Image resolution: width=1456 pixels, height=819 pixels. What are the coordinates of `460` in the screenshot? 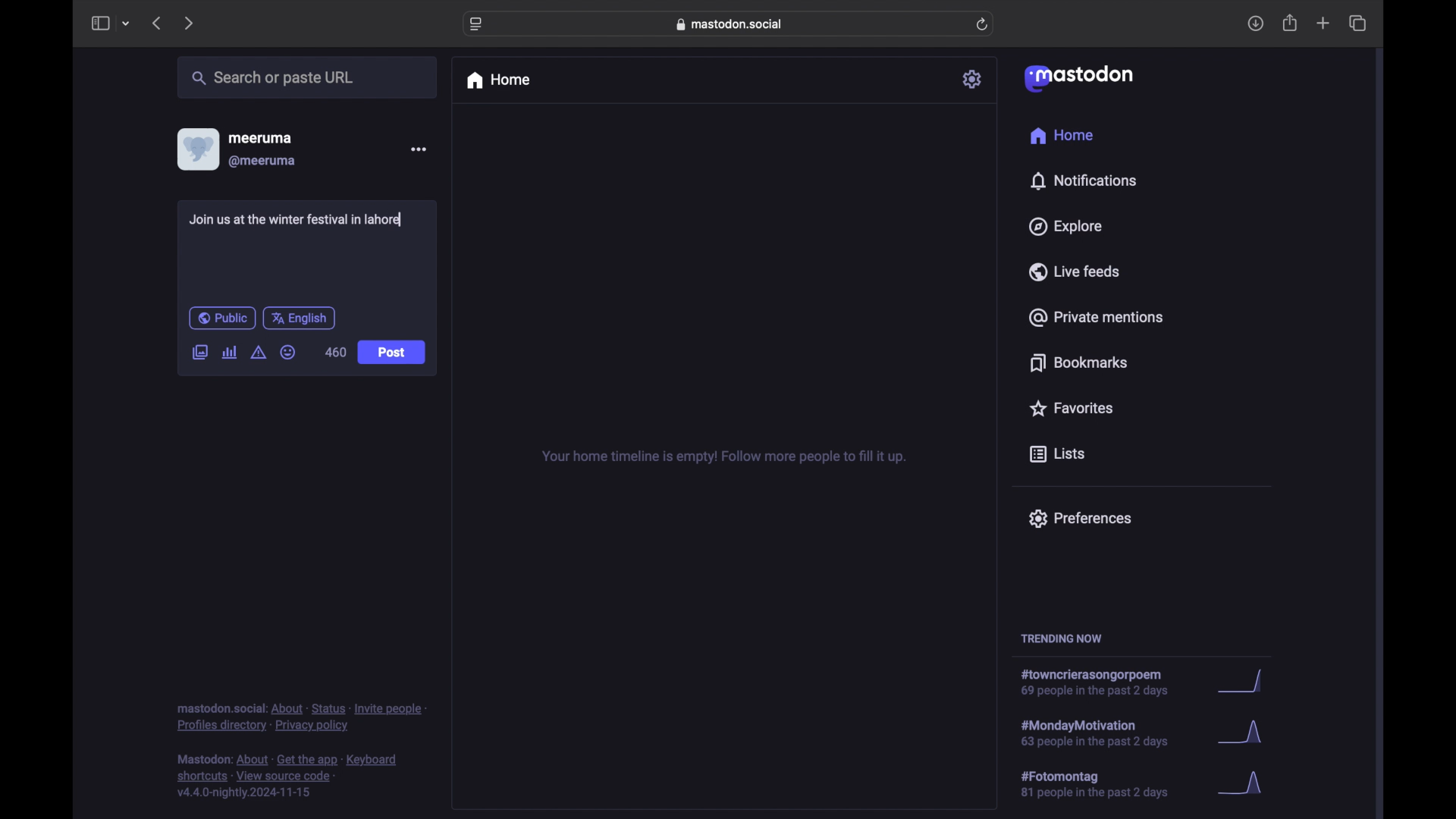 It's located at (335, 351).